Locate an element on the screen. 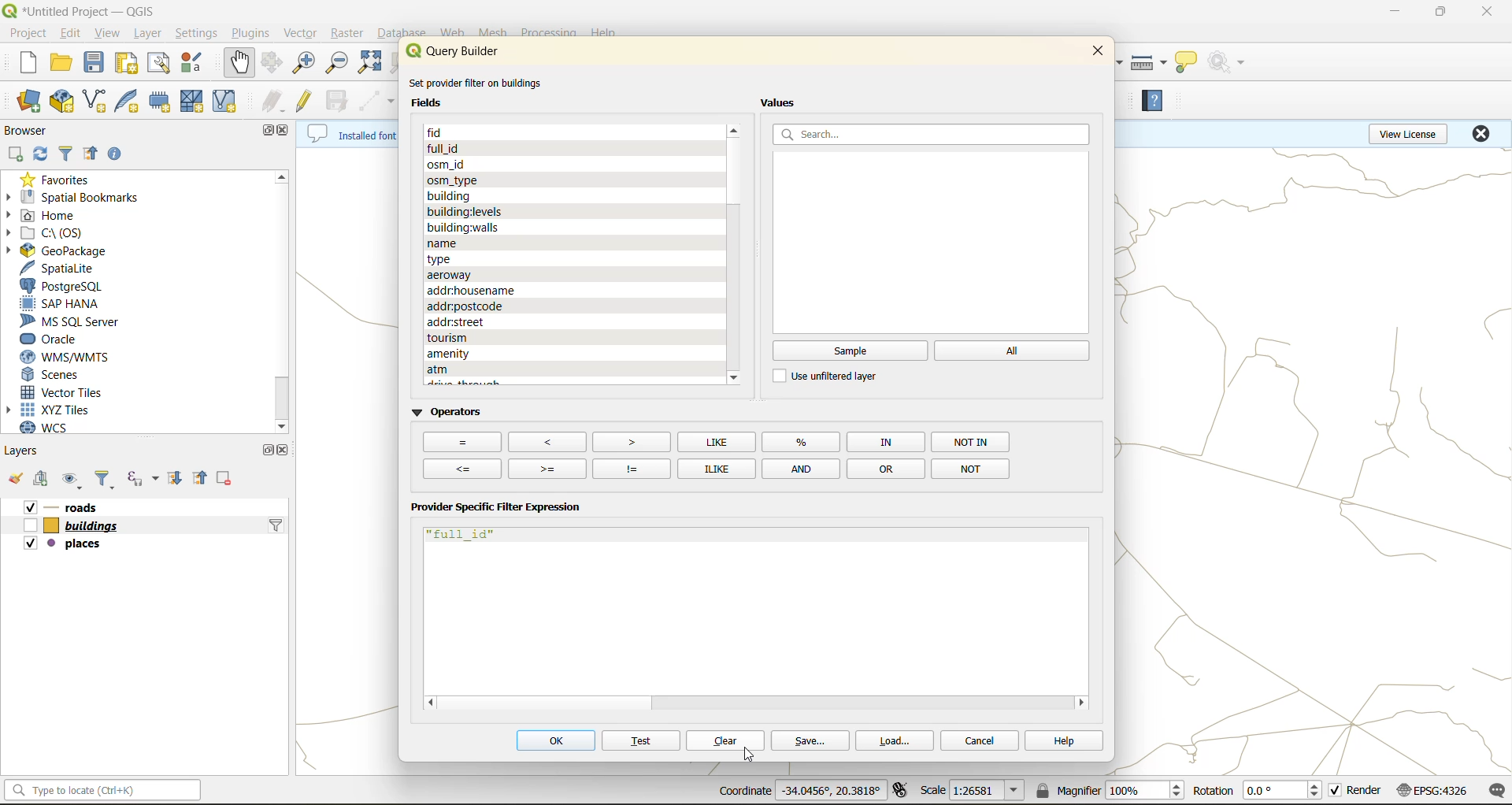 This screenshot has width=1512, height=805. zoom in is located at coordinates (302, 63).